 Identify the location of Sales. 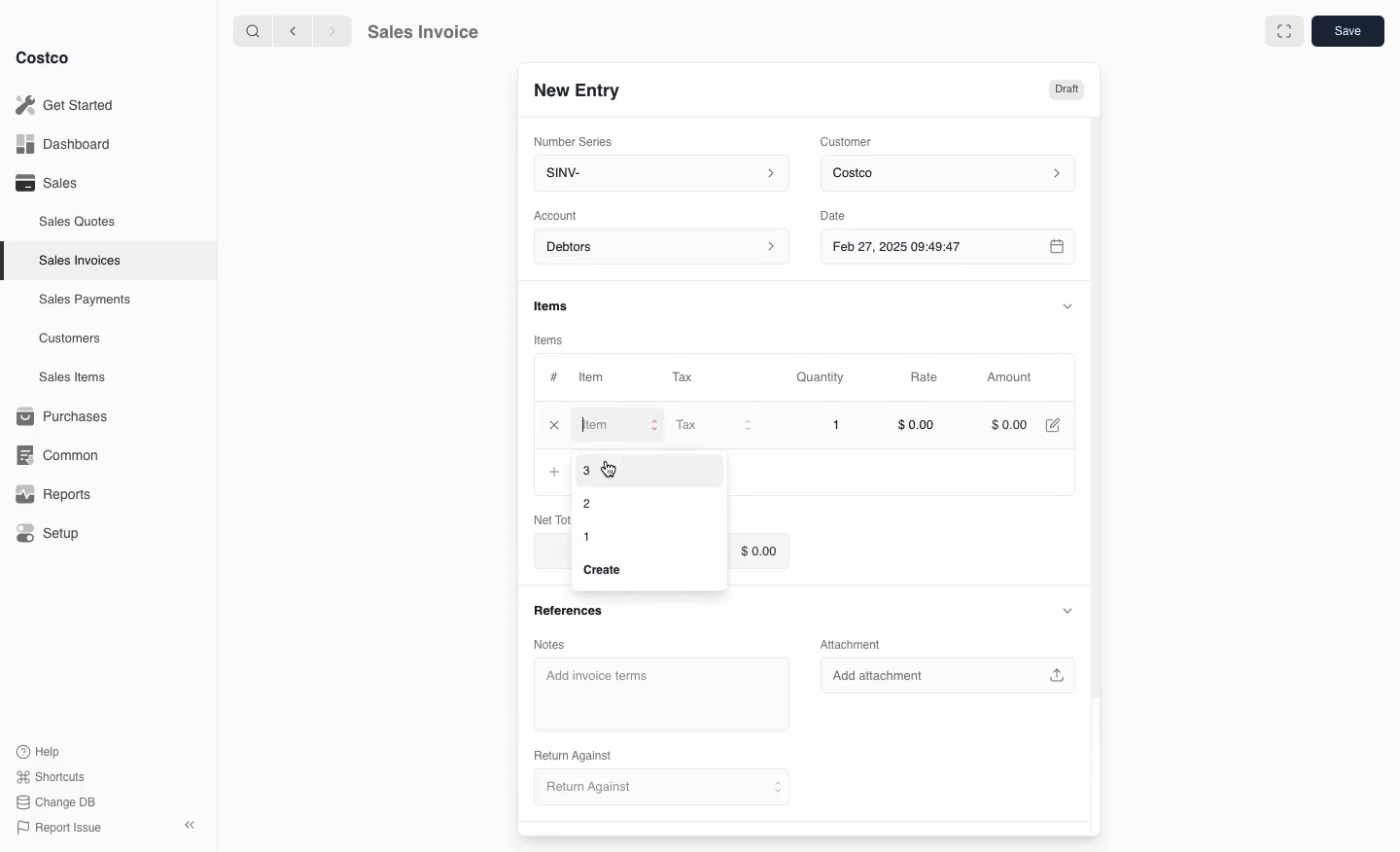
(45, 182).